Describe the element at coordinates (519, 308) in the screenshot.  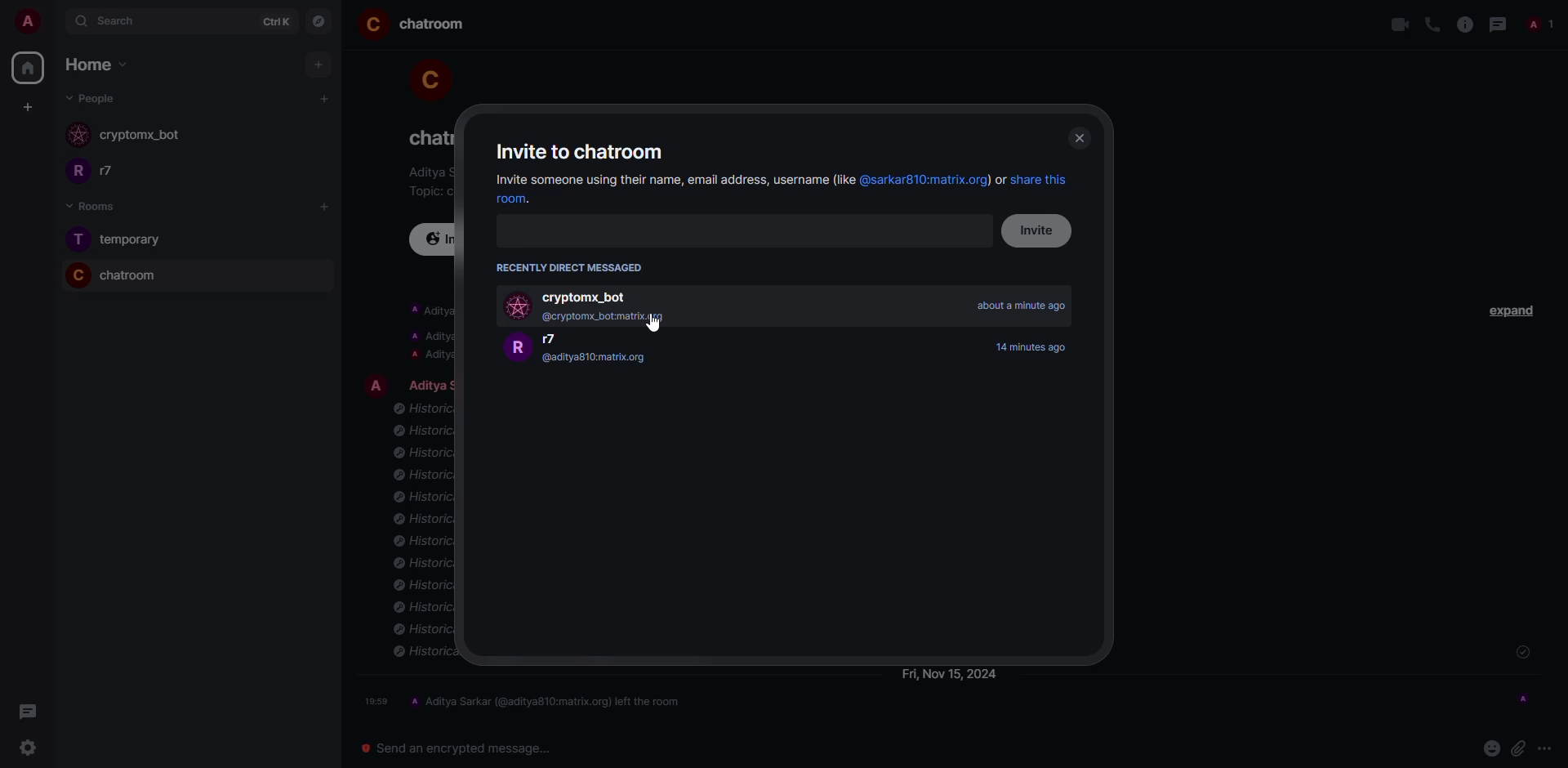
I see `profile image` at that location.